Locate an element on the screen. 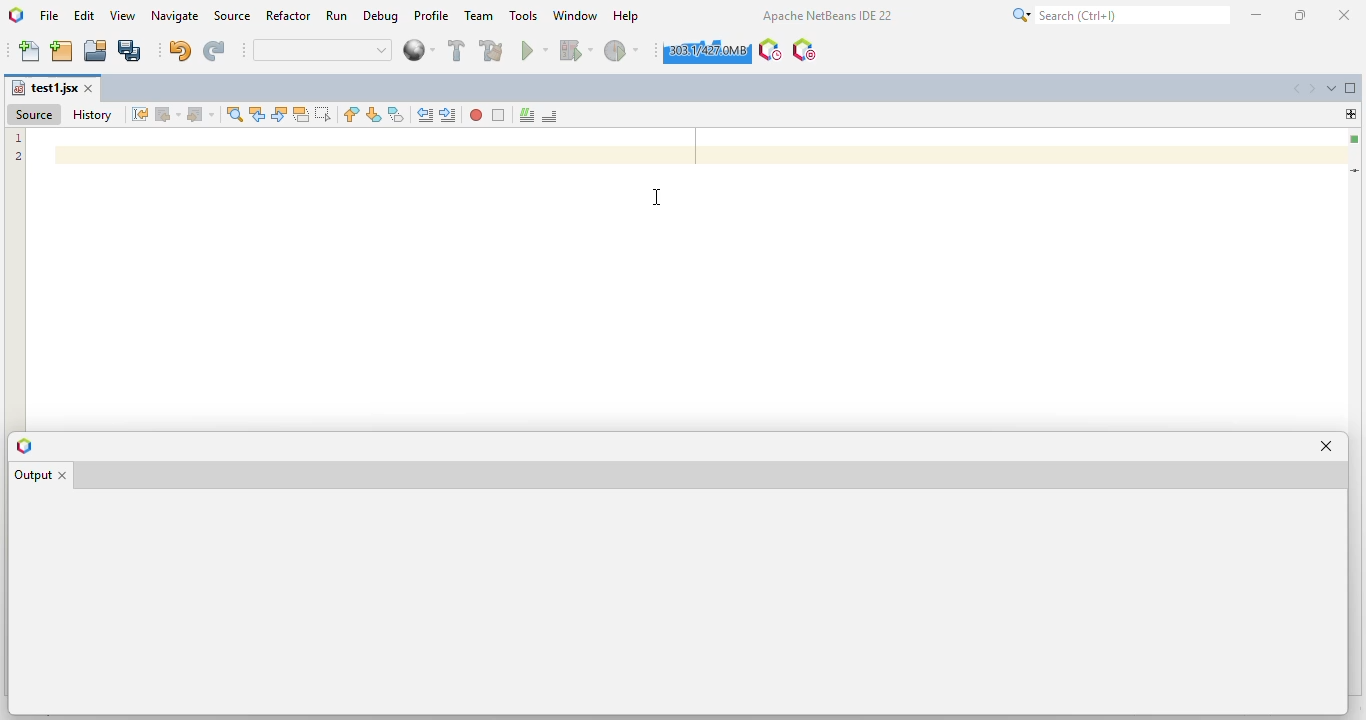 The height and width of the screenshot is (720, 1366). Apache NetBeans IDE 22 is located at coordinates (826, 15).